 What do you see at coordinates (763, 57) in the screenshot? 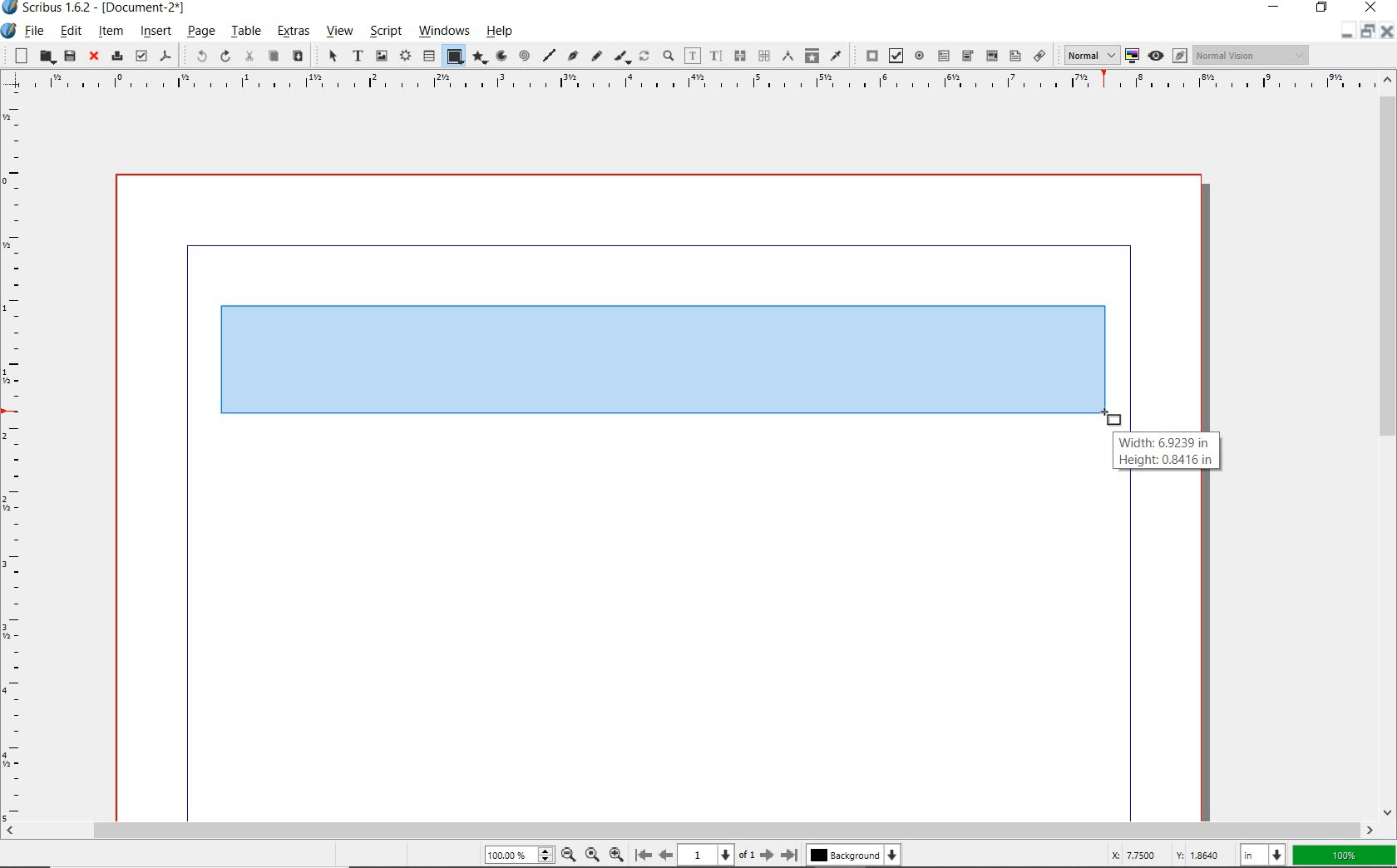
I see `measurements` at bounding box center [763, 57].